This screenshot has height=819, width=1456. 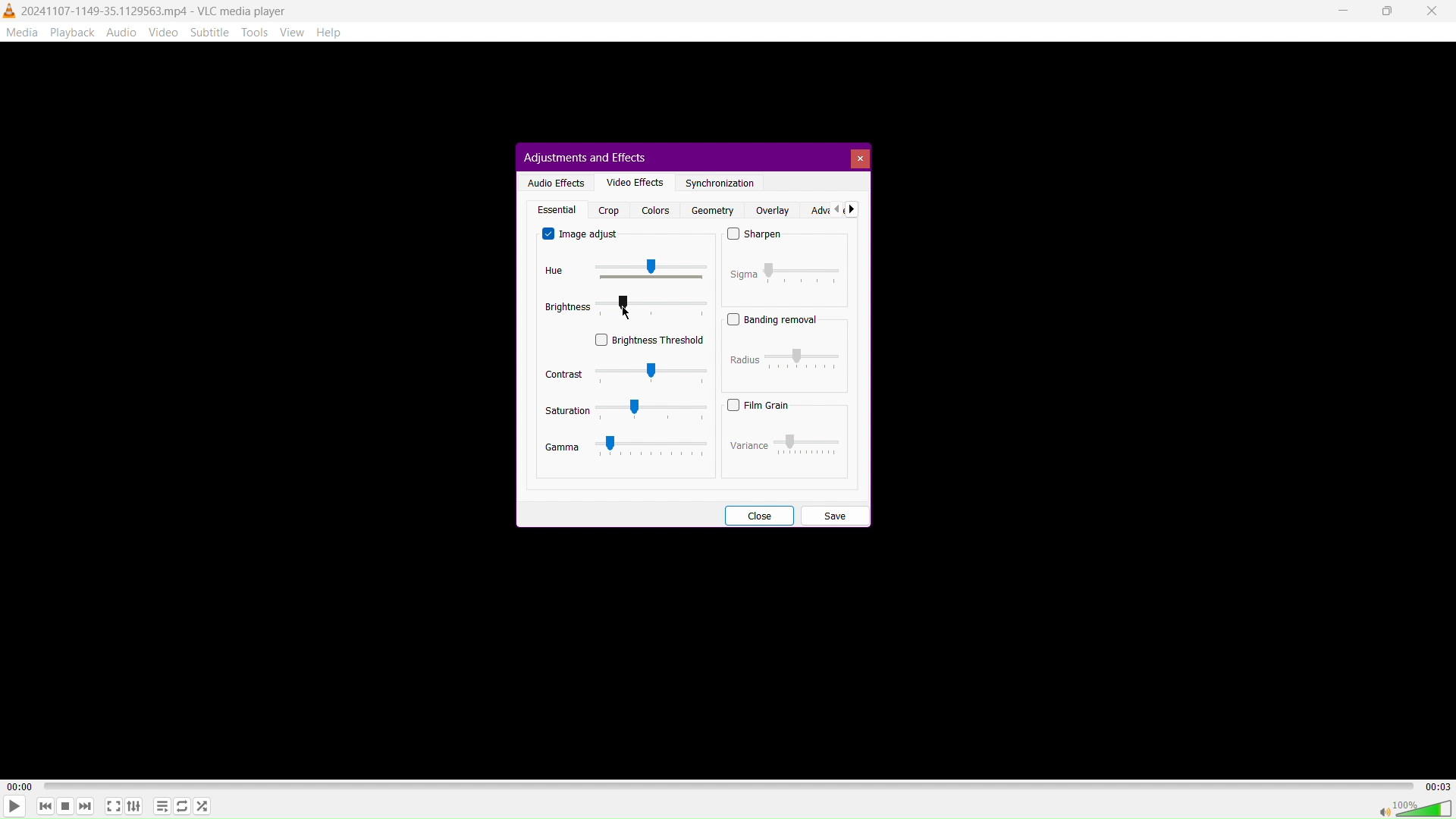 What do you see at coordinates (555, 209) in the screenshot?
I see `Essential` at bounding box center [555, 209].